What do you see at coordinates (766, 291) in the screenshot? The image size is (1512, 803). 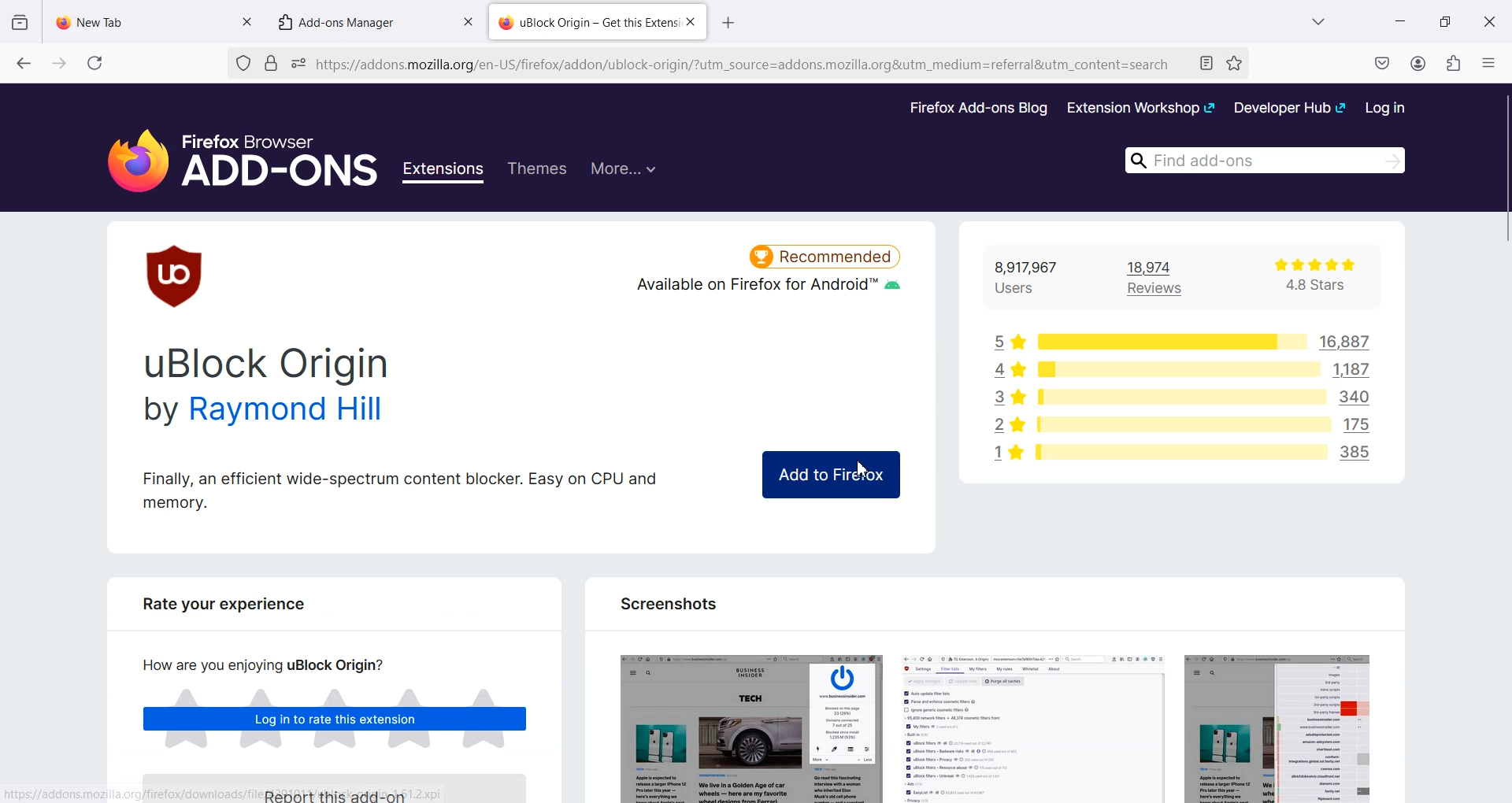 I see `Available on Firefox for Android™` at bounding box center [766, 291].